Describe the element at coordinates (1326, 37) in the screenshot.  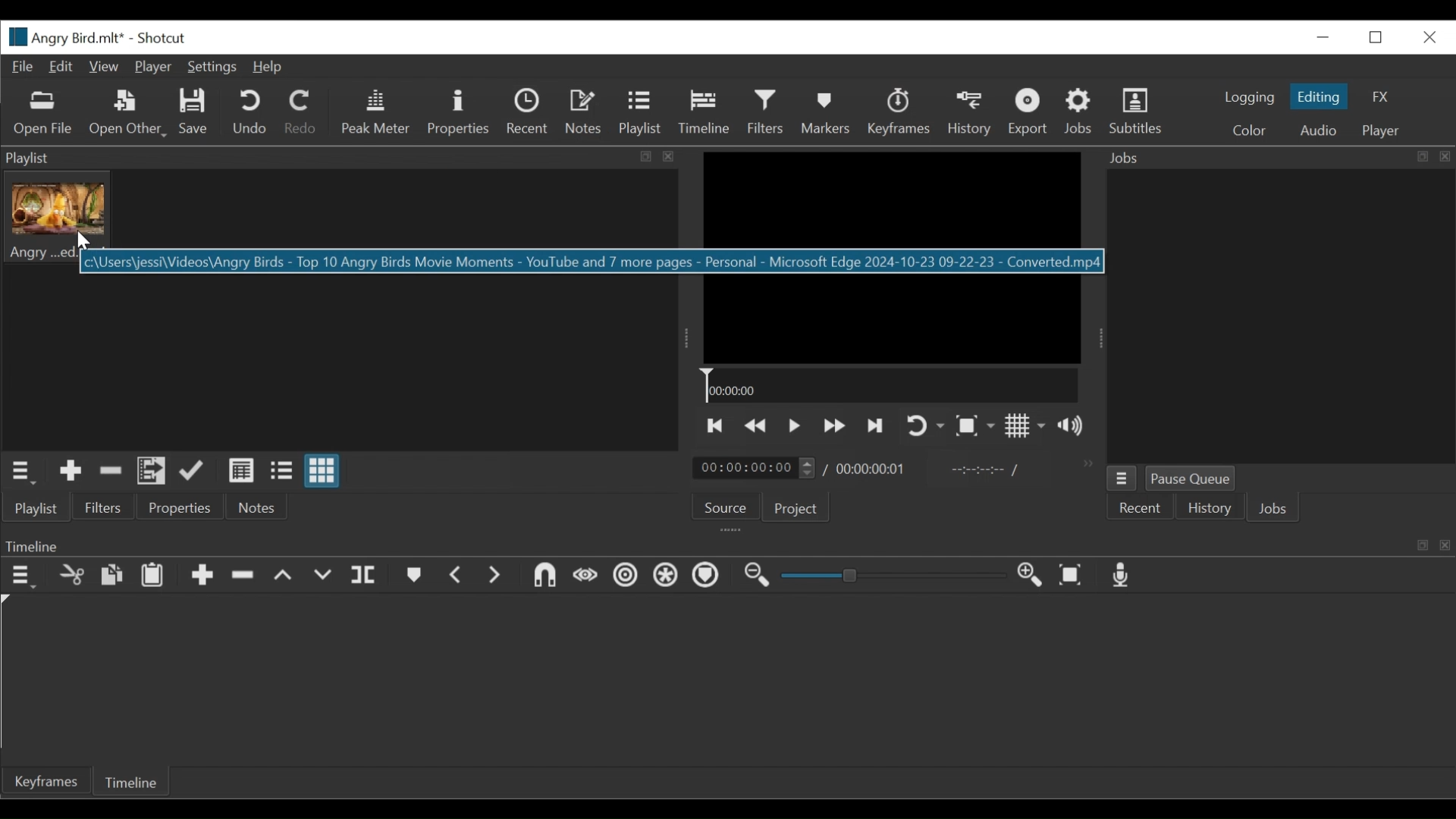
I see `Minimize` at that location.